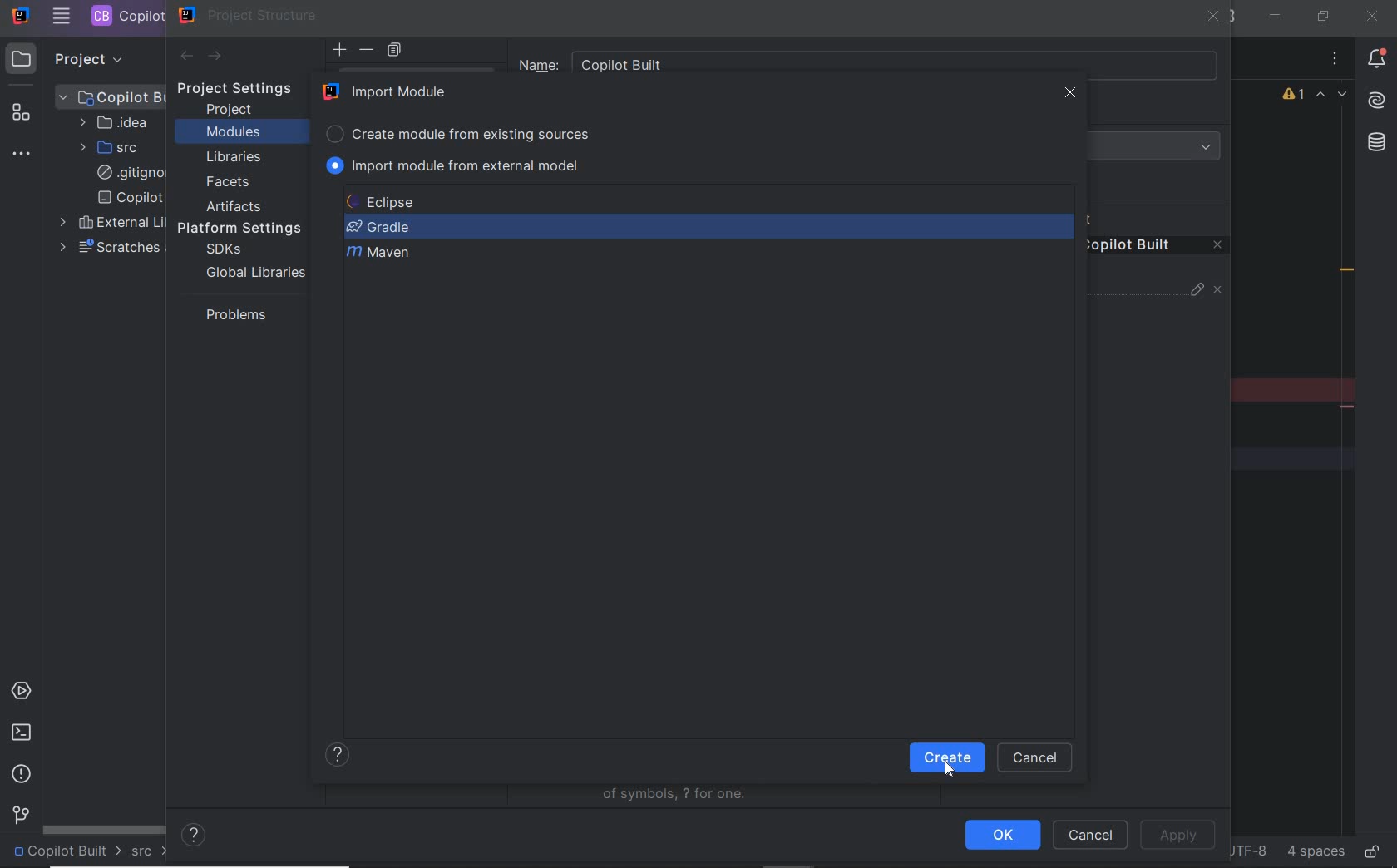 Image resolution: width=1397 pixels, height=868 pixels. What do you see at coordinates (462, 131) in the screenshot?
I see `CREATE MODULE FROM EXISTING SOURCES` at bounding box center [462, 131].